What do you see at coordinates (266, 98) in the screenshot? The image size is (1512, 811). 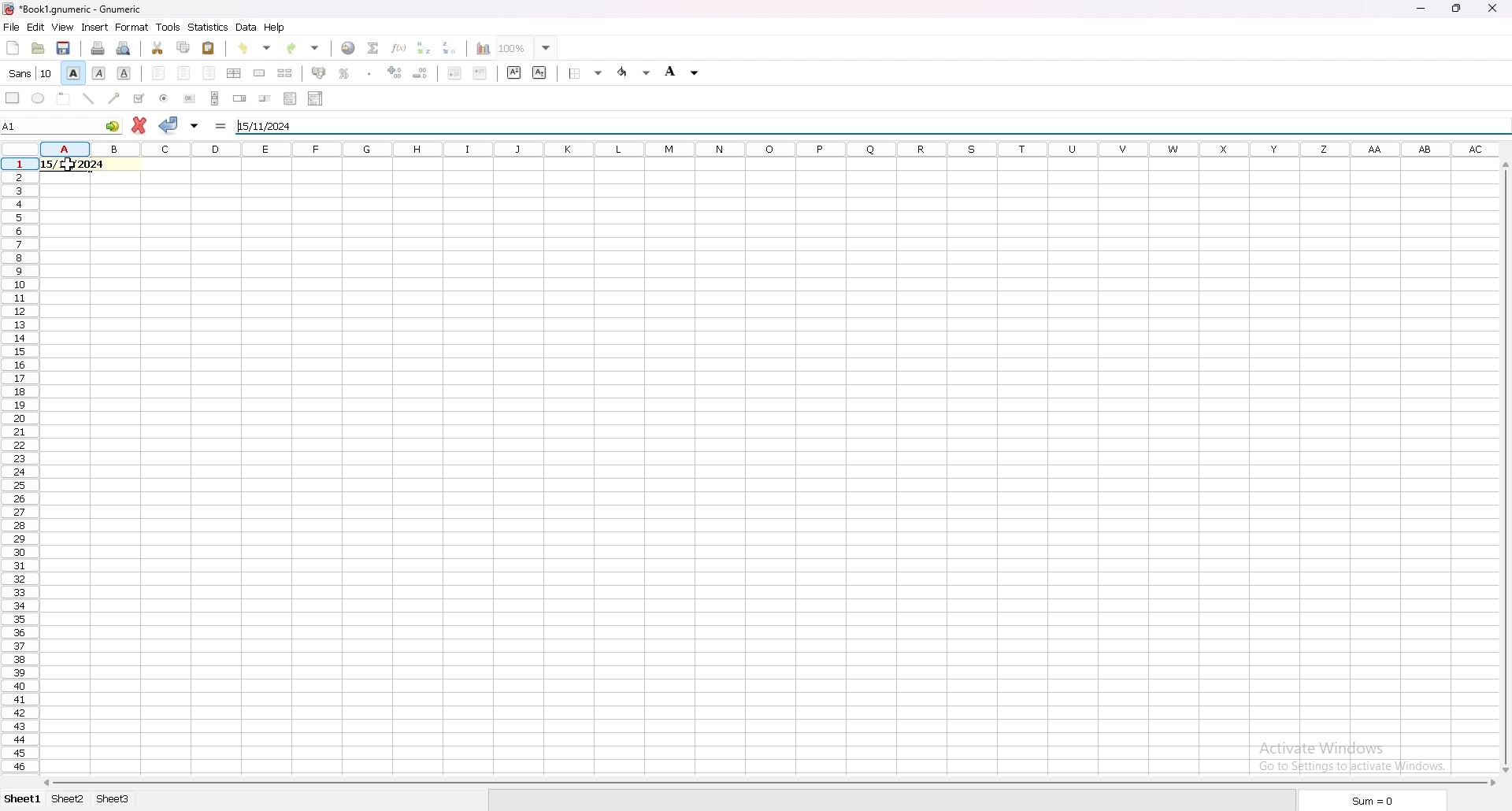 I see `slider` at bounding box center [266, 98].